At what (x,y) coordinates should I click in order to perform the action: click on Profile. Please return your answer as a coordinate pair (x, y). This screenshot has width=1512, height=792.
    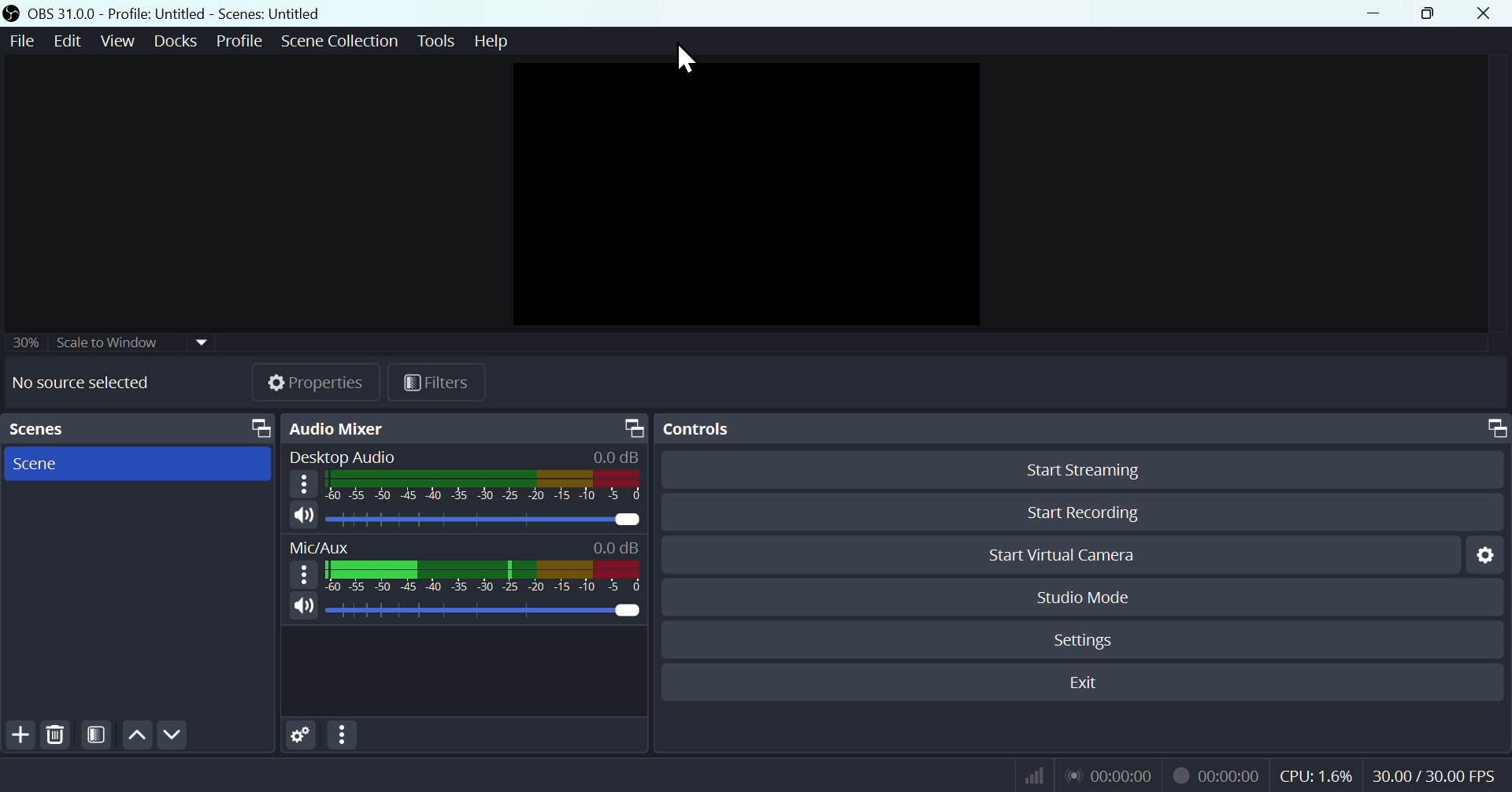
    Looking at the image, I should click on (235, 38).